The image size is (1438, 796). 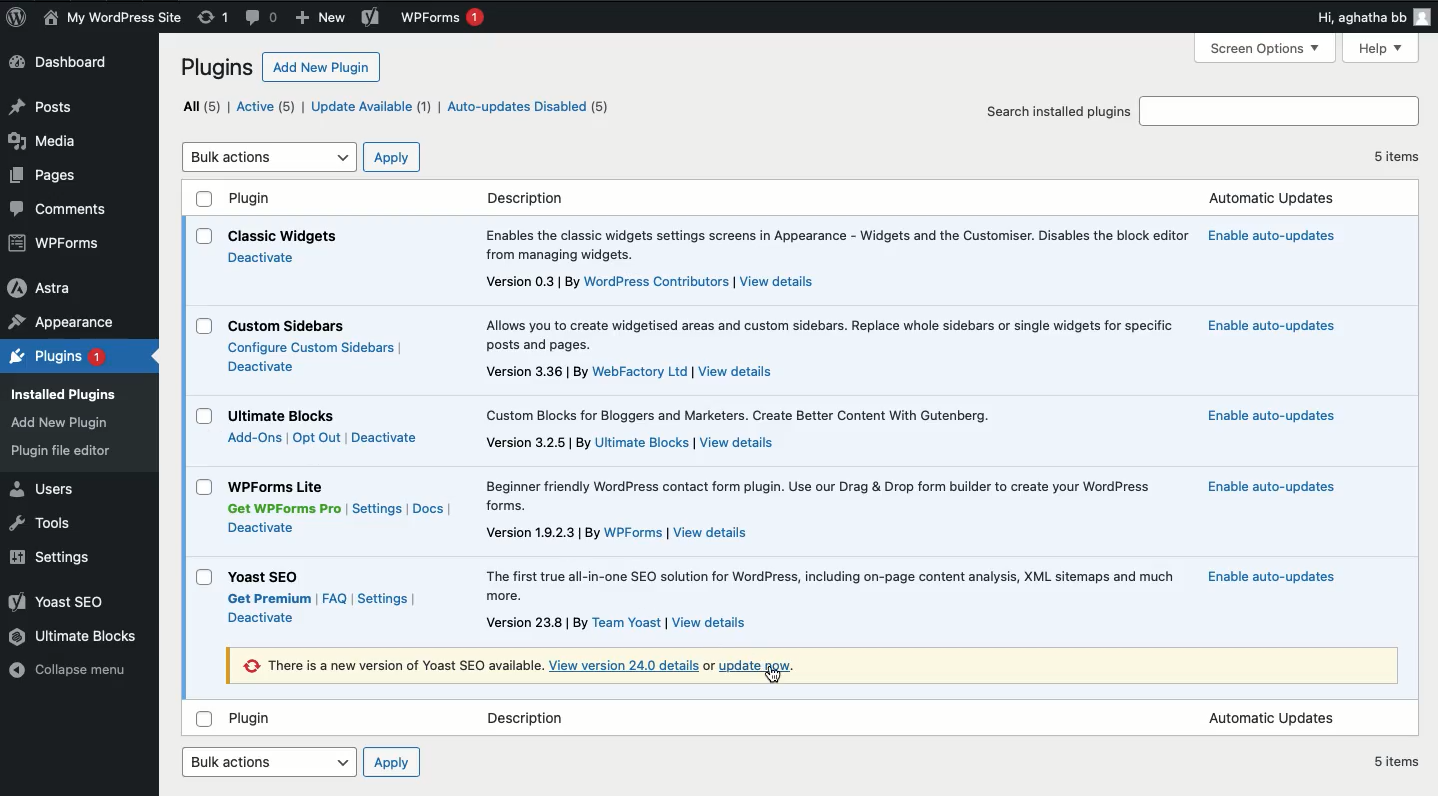 I want to click on Description, so click(x=835, y=246).